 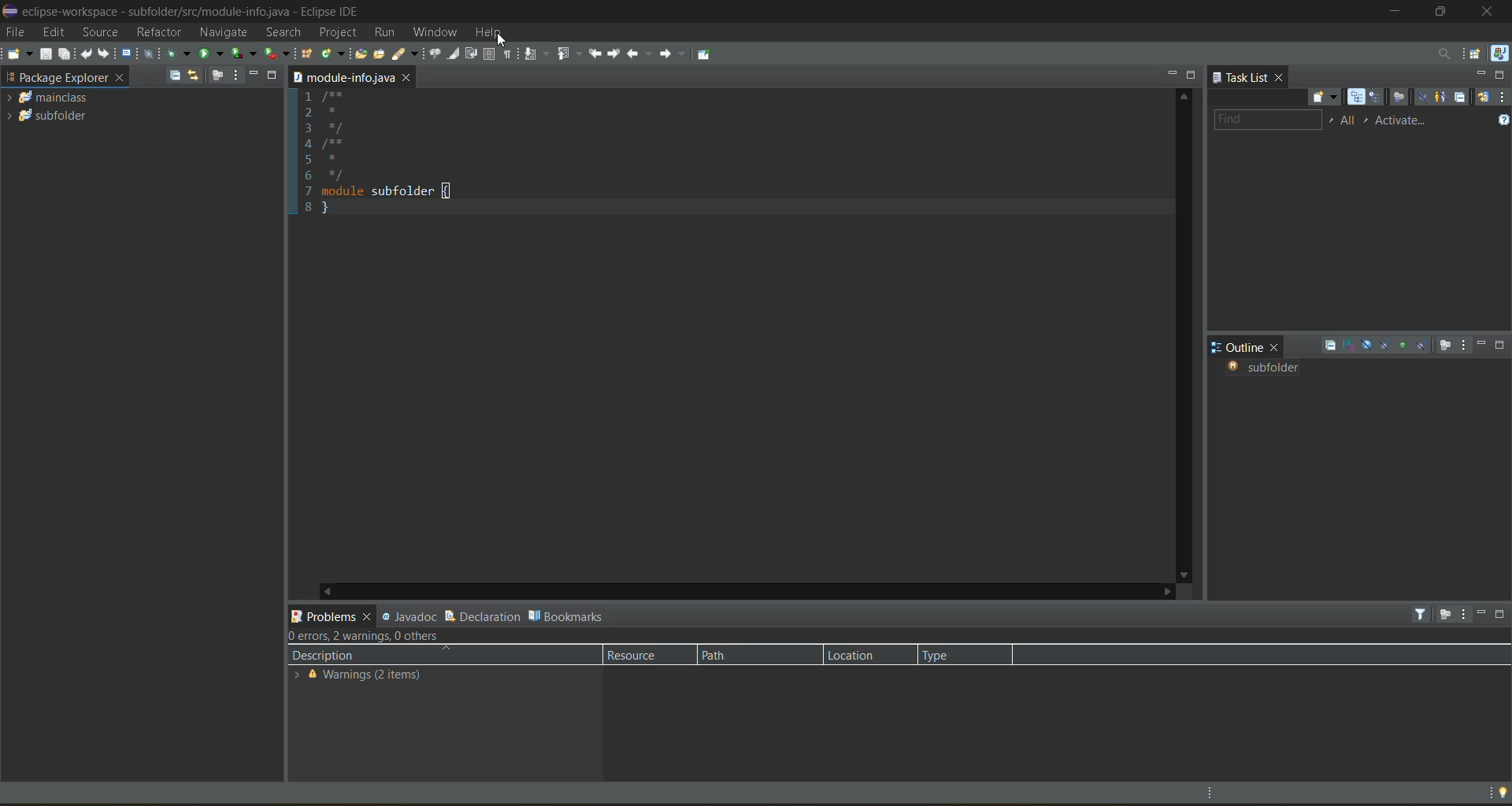 What do you see at coordinates (641, 656) in the screenshot?
I see `resource` at bounding box center [641, 656].